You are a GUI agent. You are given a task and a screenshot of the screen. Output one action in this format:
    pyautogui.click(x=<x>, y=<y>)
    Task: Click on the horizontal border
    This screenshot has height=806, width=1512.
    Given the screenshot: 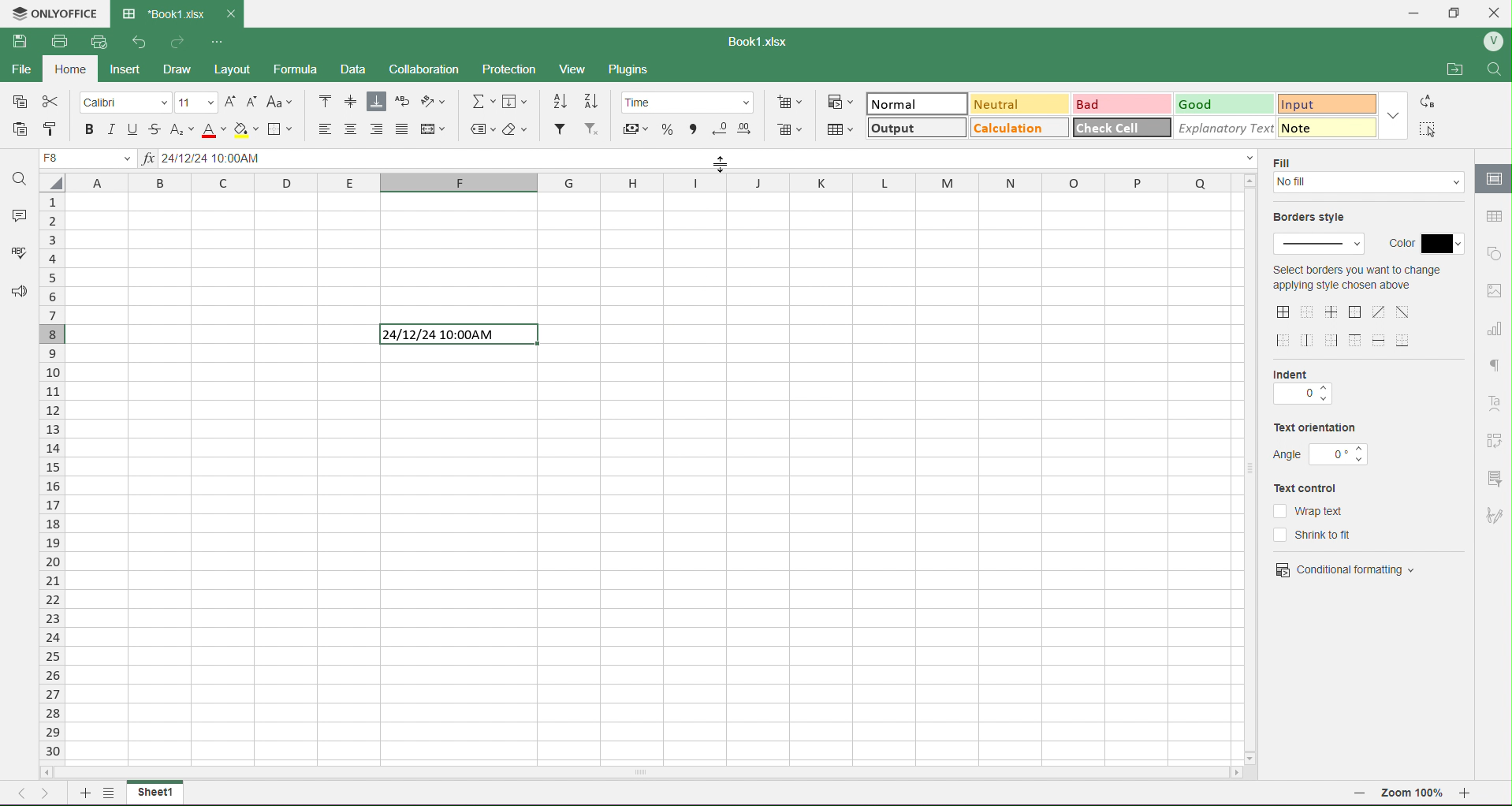 What is the action you would take?
    pyautogui.click(x=1381, y=341)
    